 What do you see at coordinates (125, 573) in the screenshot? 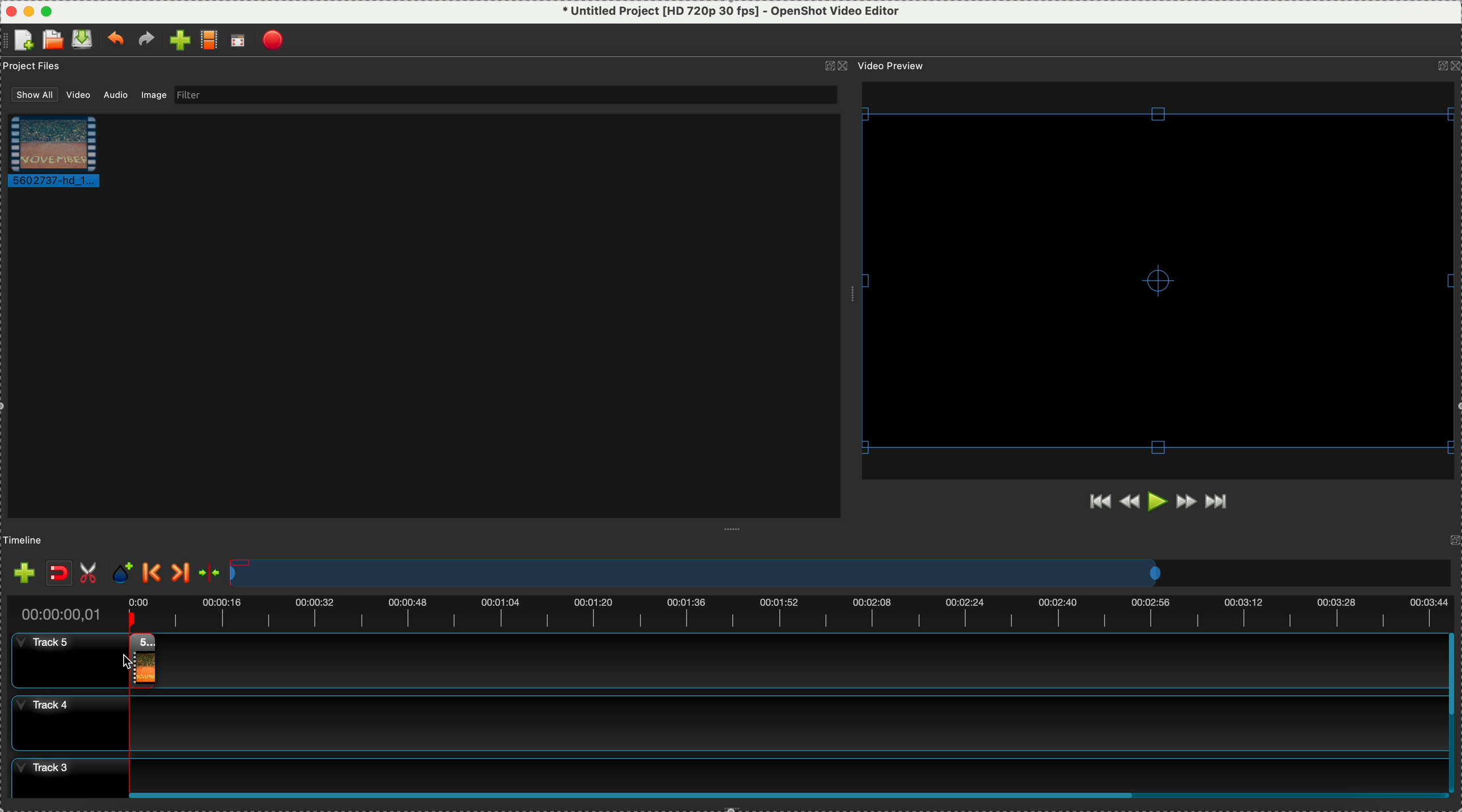
I see `add mark` at bounding box center [125, 573].